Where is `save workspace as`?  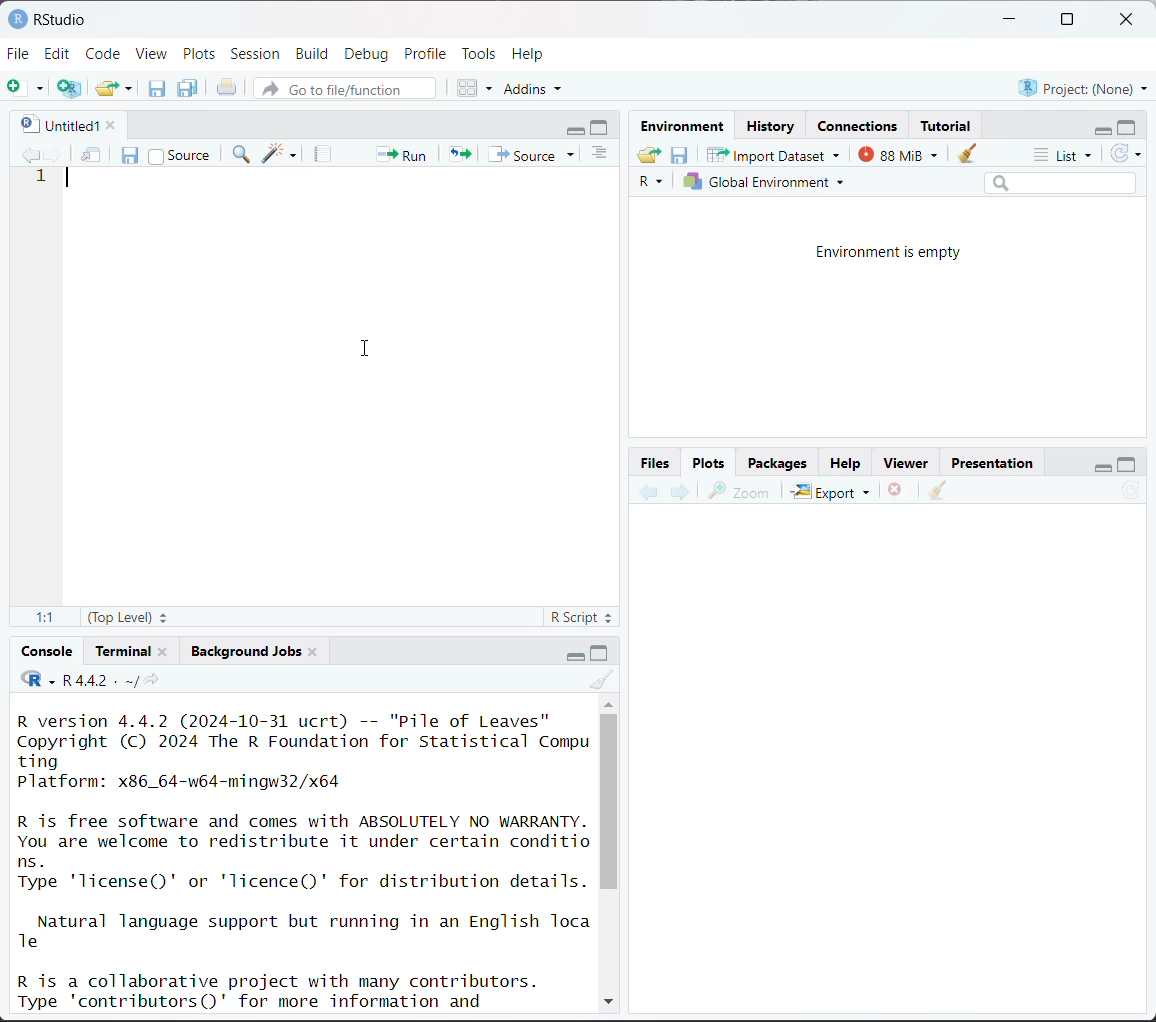
save workspace as is located at coordinates (680, 156).